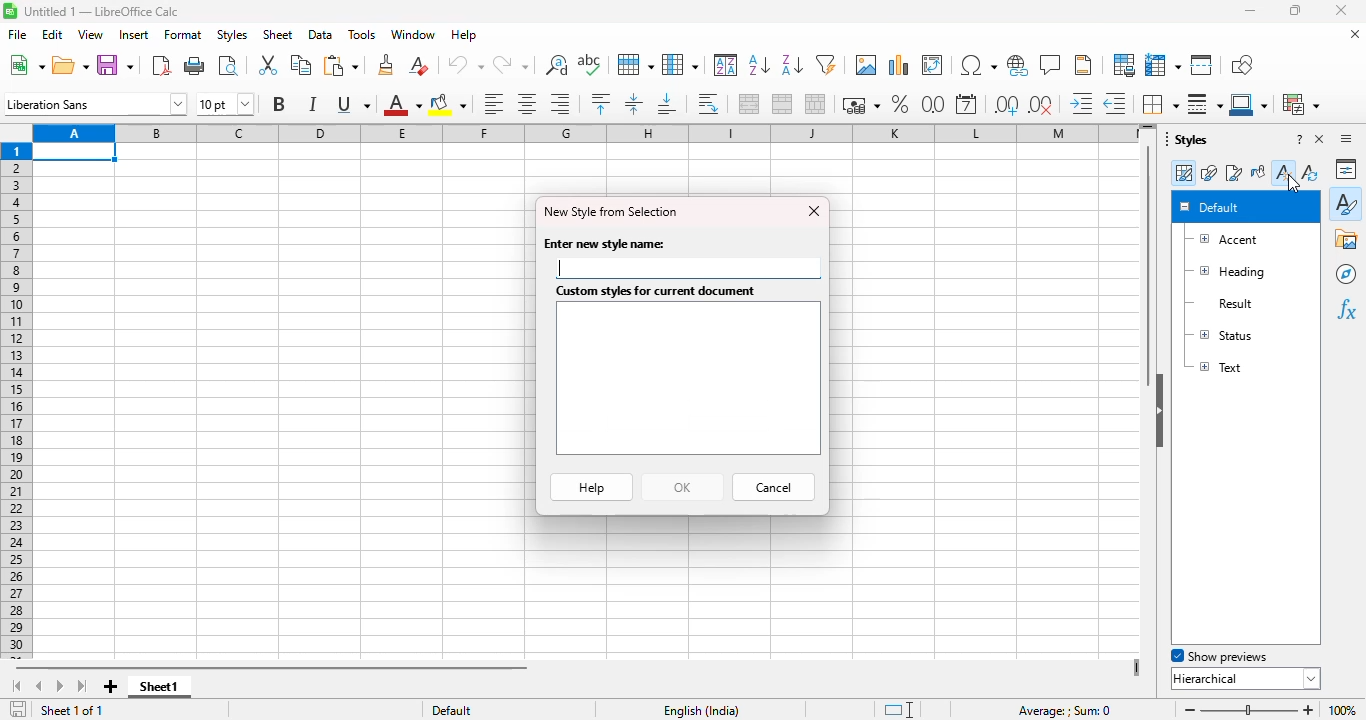 This screenshot has width=1366, height=720. I want to click on insert, so click(132, 35).